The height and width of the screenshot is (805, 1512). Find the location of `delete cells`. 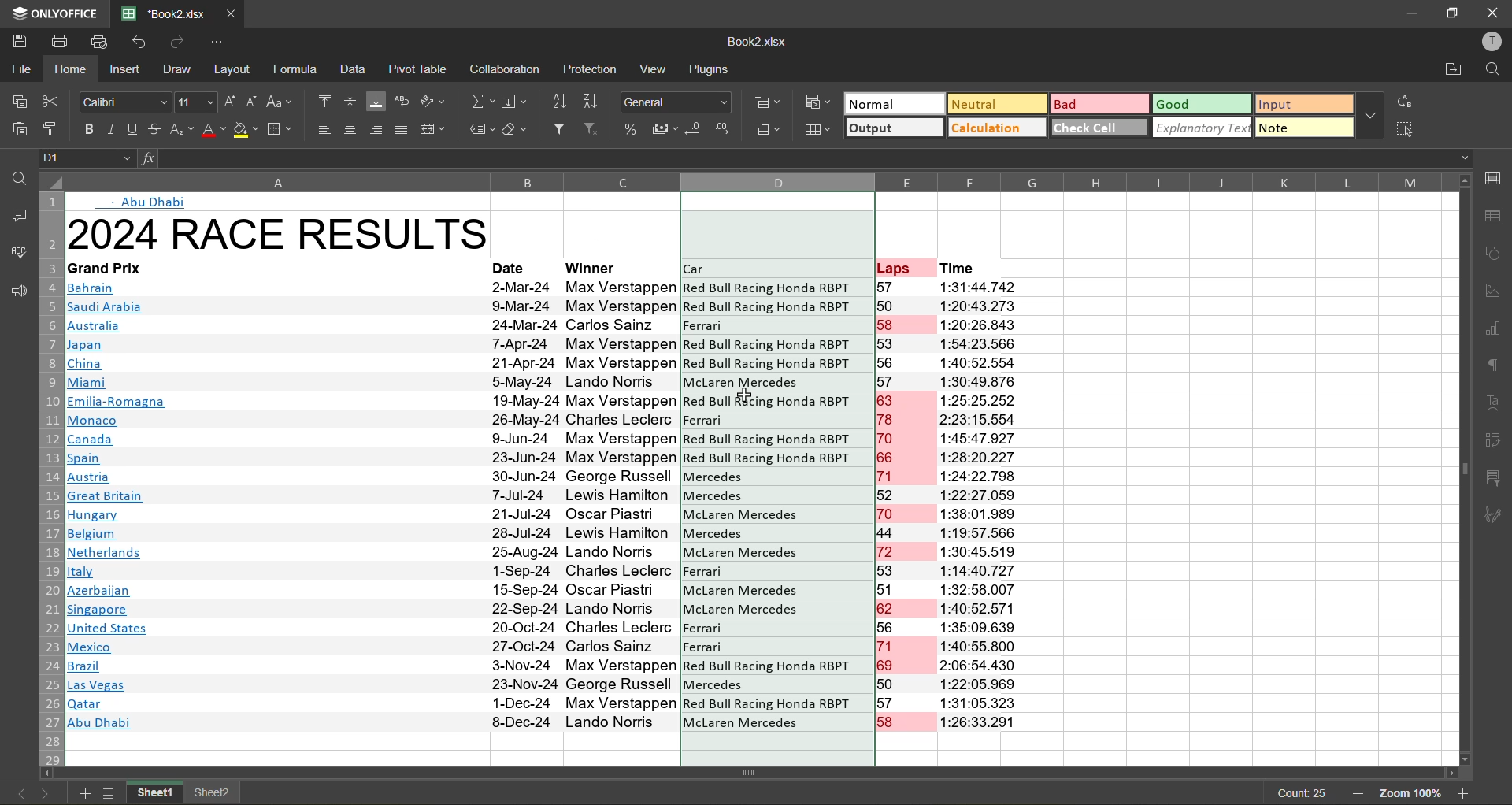

delete cells is located at coordinates (771, 129).